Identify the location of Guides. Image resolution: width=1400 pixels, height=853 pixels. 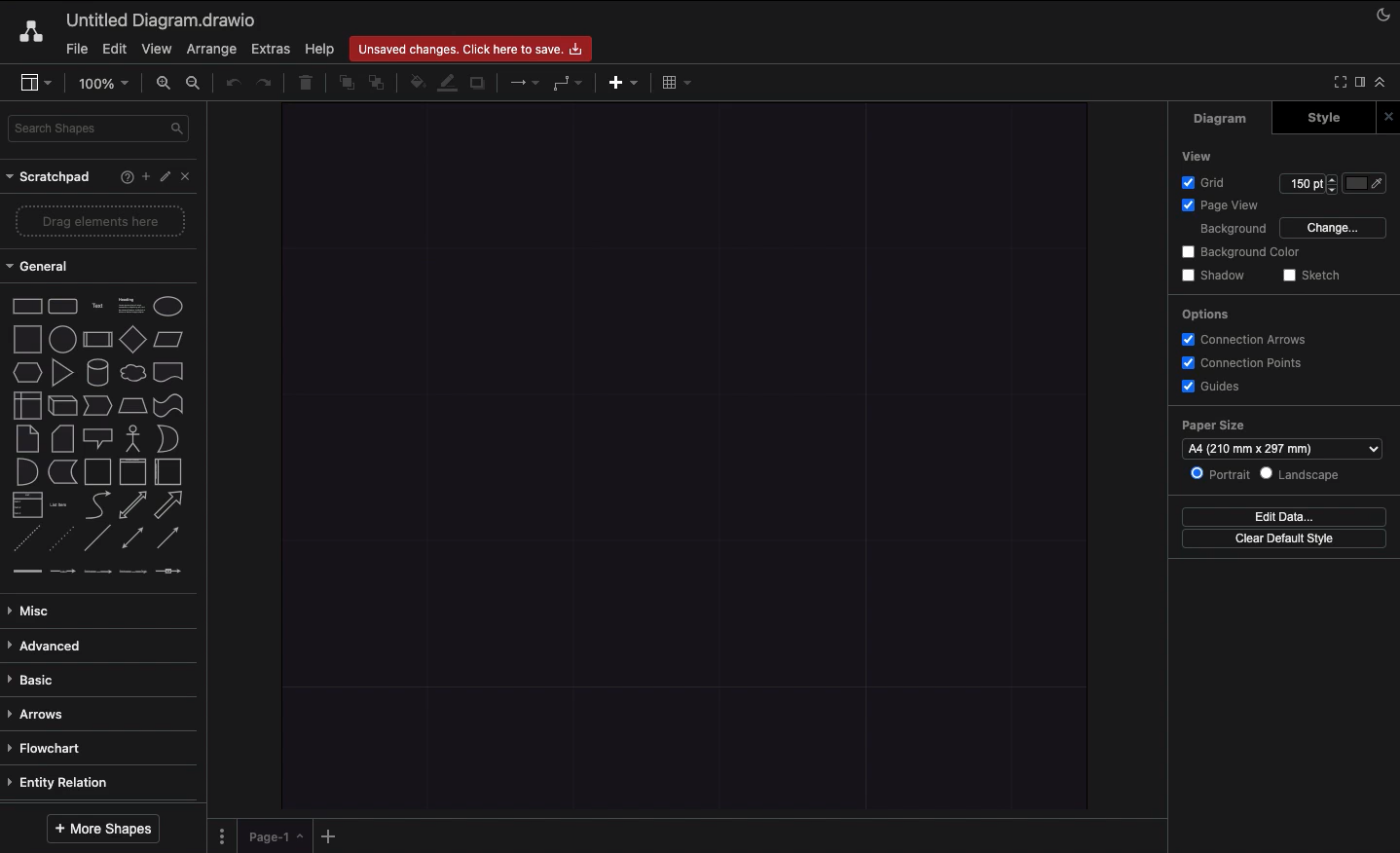
(1215, 387).